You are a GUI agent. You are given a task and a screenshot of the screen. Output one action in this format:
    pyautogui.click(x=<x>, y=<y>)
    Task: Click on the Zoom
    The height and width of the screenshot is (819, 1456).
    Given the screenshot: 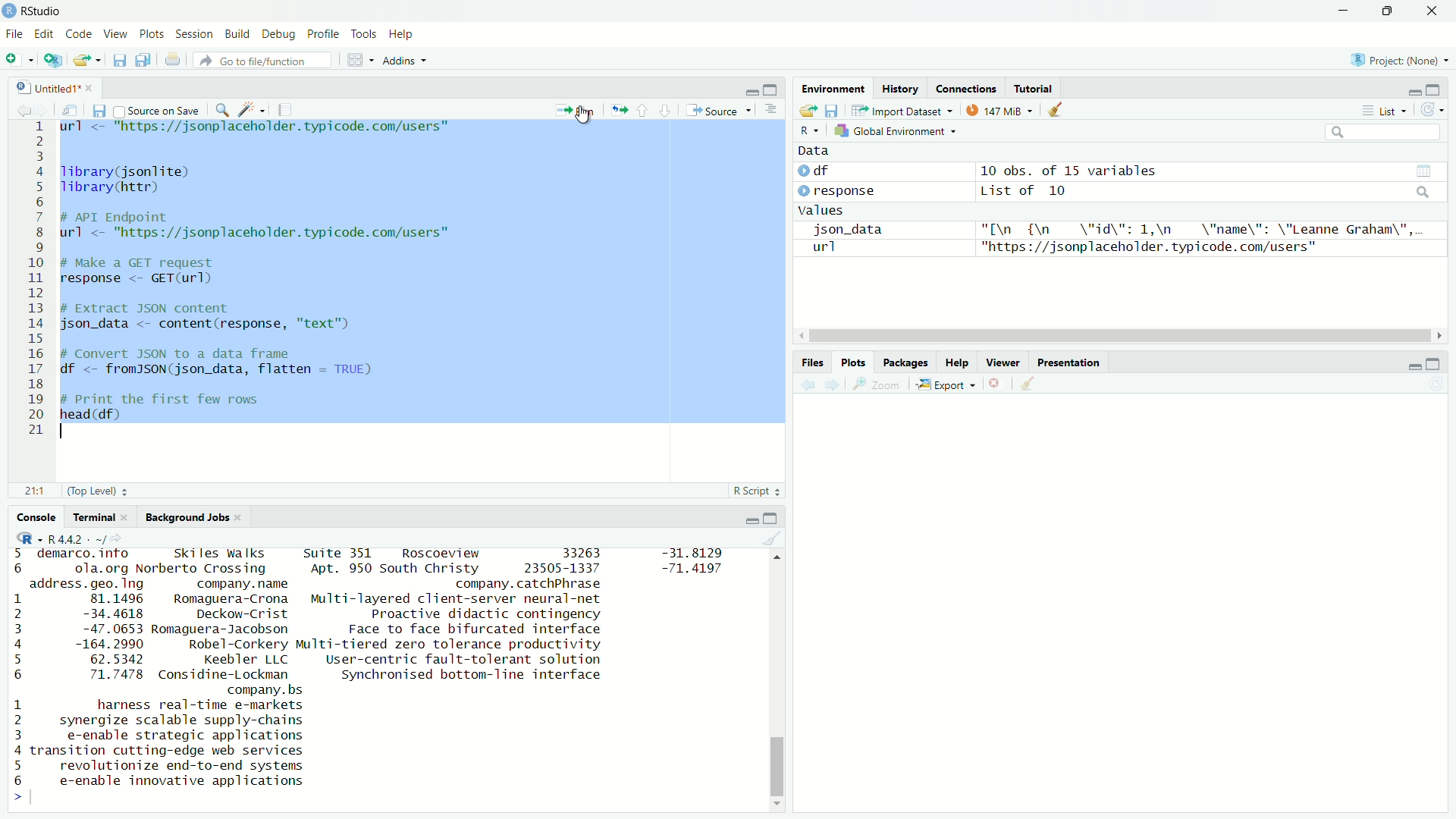 What is the action you would take?
    pyautogui.click(x=877, y=386)
    